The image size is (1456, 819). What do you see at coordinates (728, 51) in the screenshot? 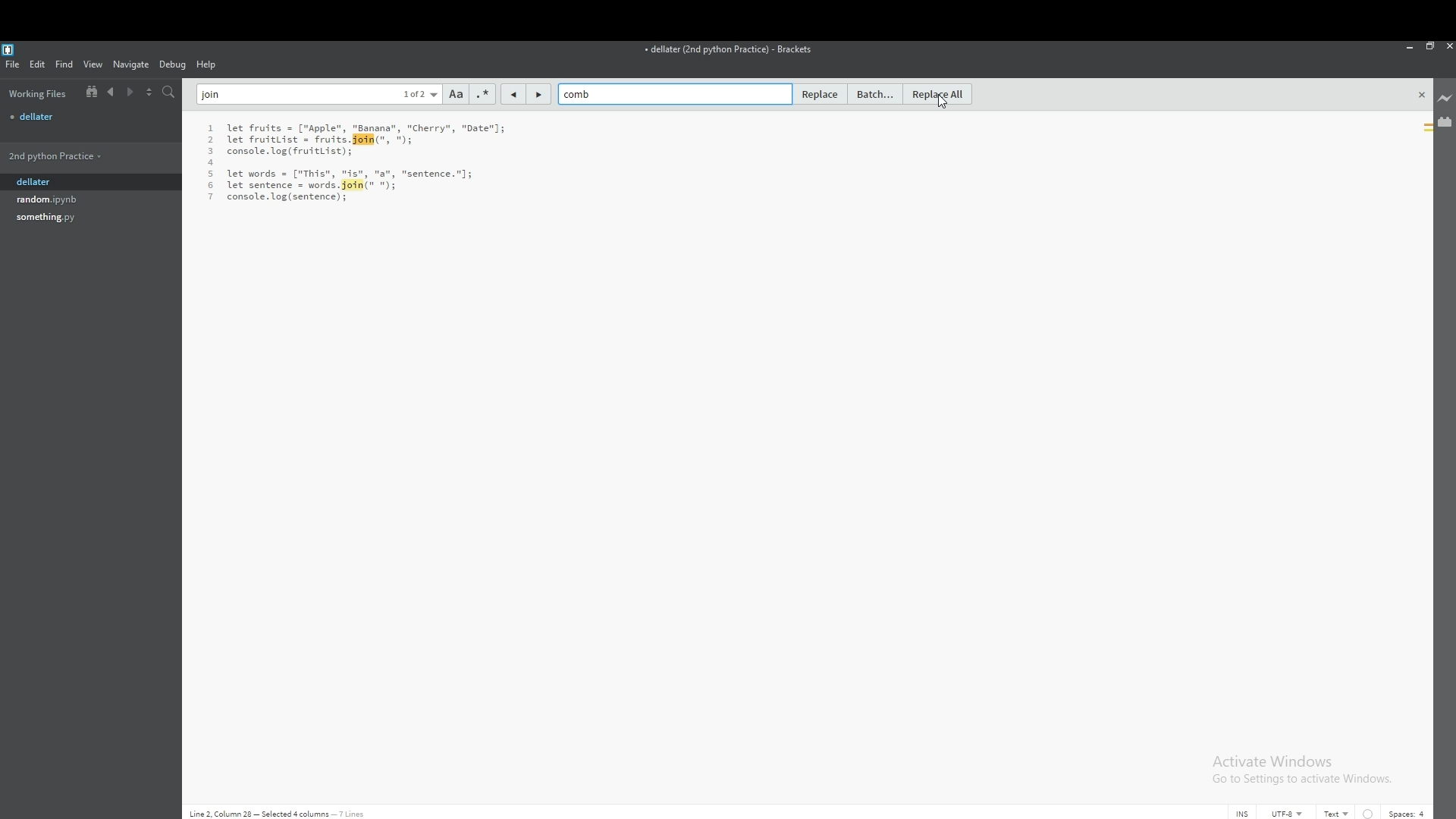
I see `file name` at bounding box center [728, 51].